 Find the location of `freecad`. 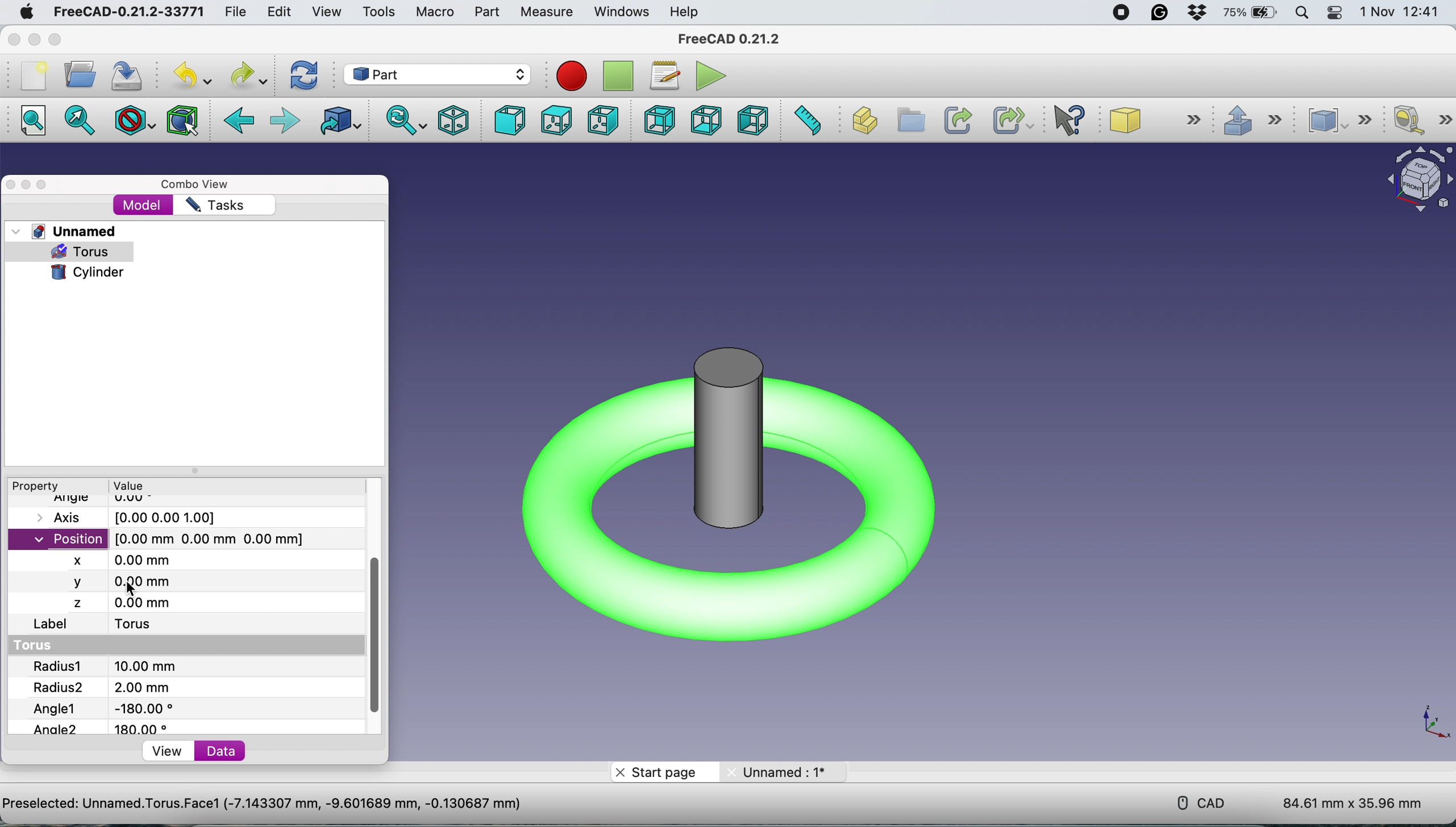

freecad is located at coordinates (124, 12).